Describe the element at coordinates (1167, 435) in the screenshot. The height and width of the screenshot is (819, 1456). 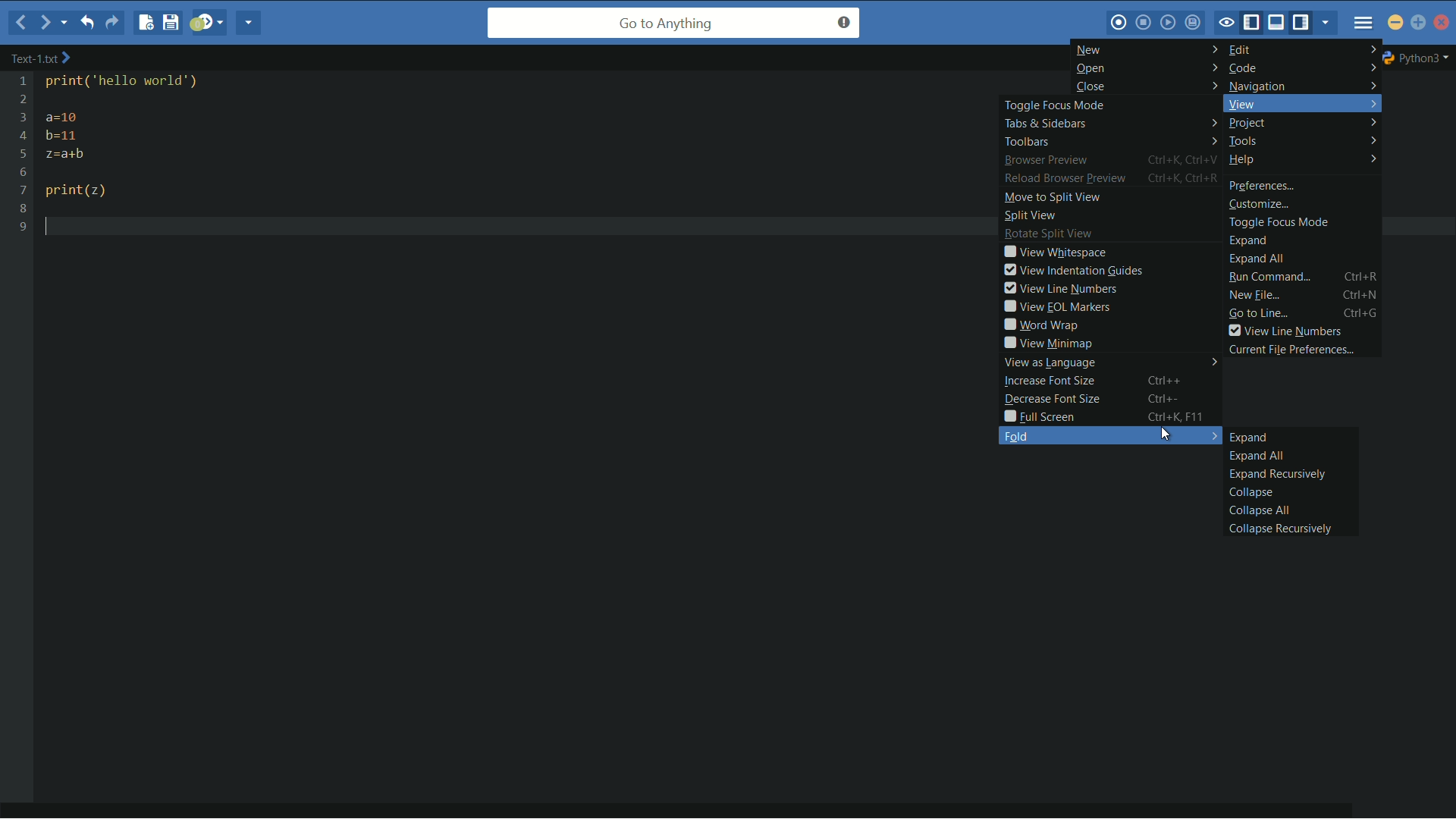
I see `cursor` at that location.